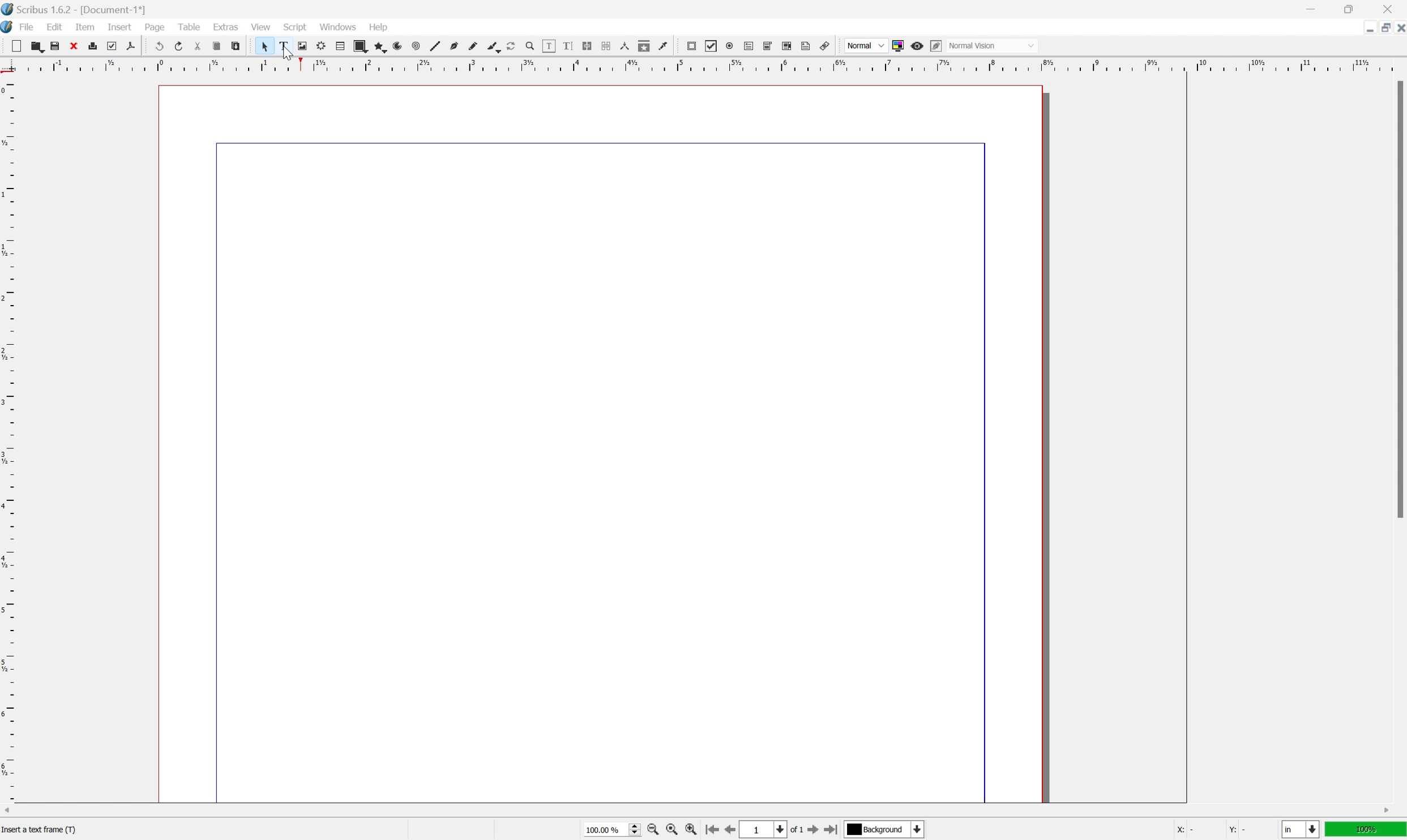 This screenshot has height=840, width=1407. What do you see at coordinates (916, 45) in the screenshot?
I see `preview mode` at bounding box center [916, 45].